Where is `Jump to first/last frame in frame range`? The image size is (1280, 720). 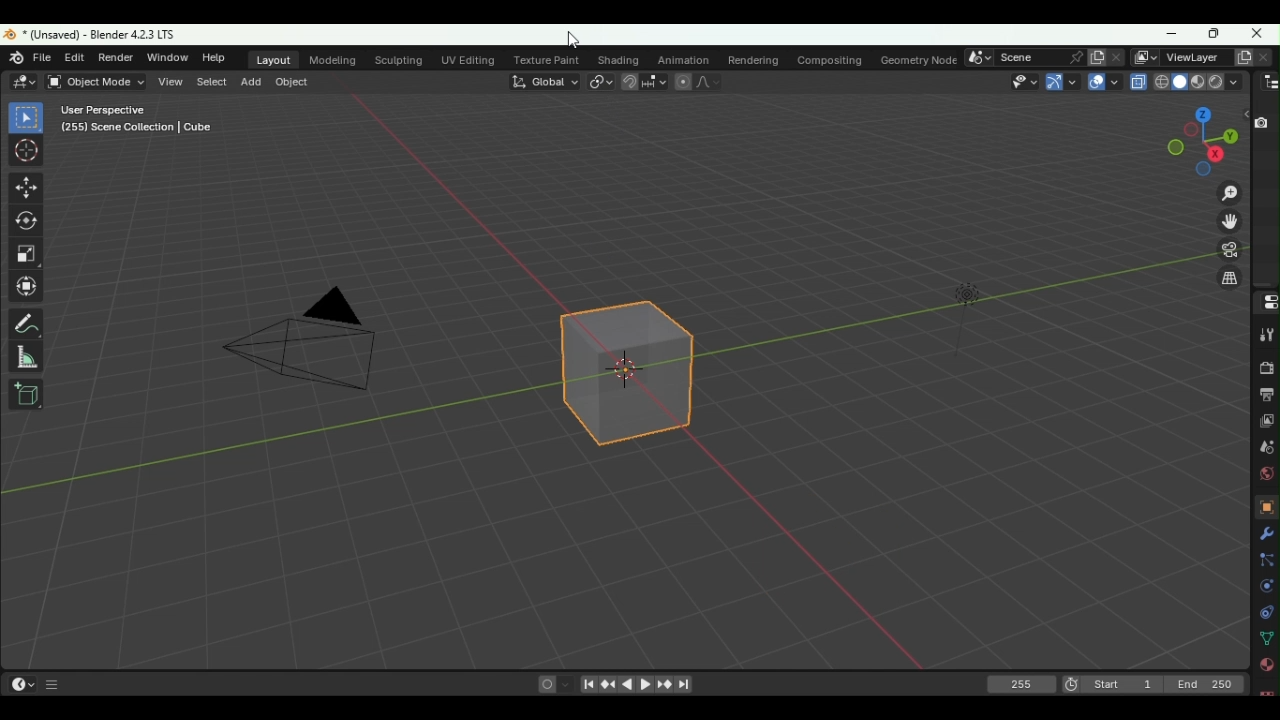
Jump to first/last frame in frame range is located at coordinates (684, 685).